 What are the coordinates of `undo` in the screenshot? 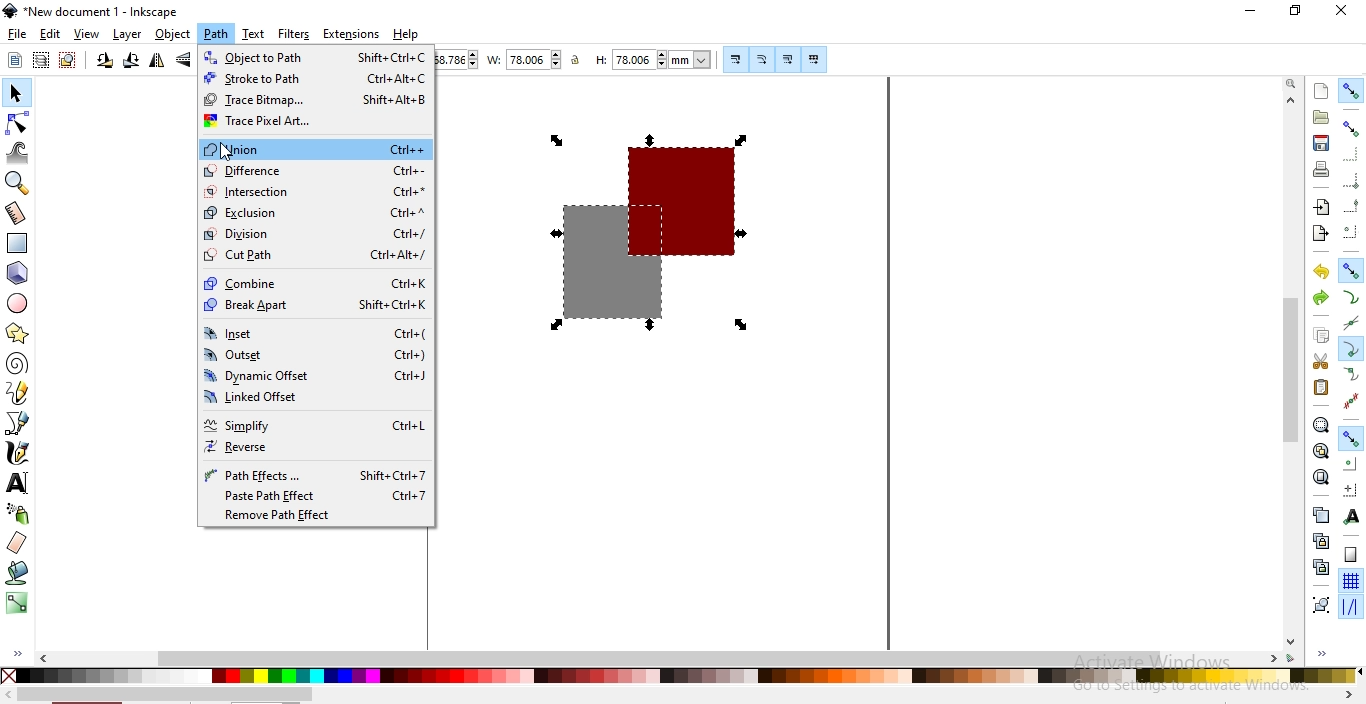 It's located at (1321, 272).